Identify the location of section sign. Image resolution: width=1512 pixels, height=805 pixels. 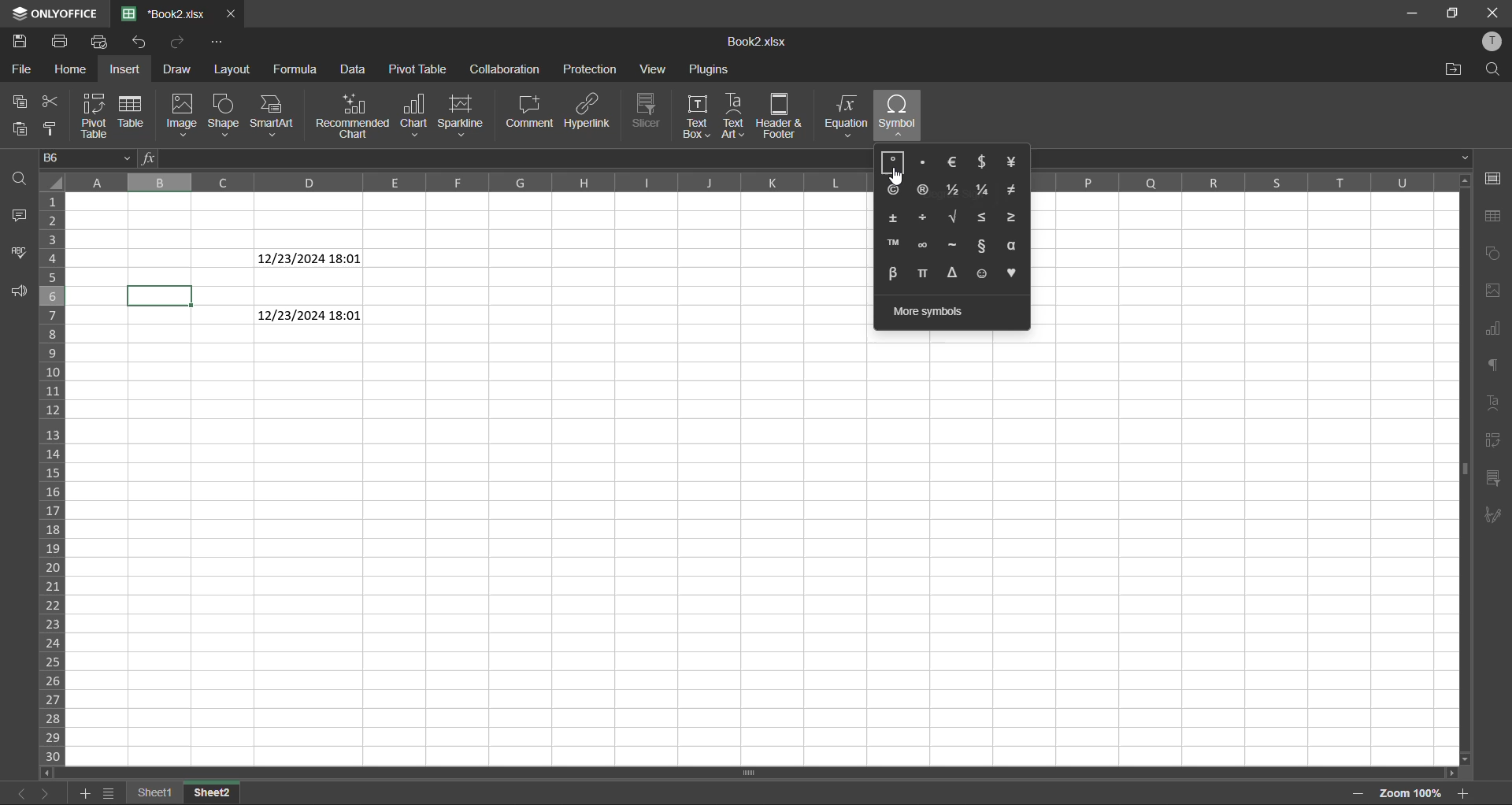
(981, 247).